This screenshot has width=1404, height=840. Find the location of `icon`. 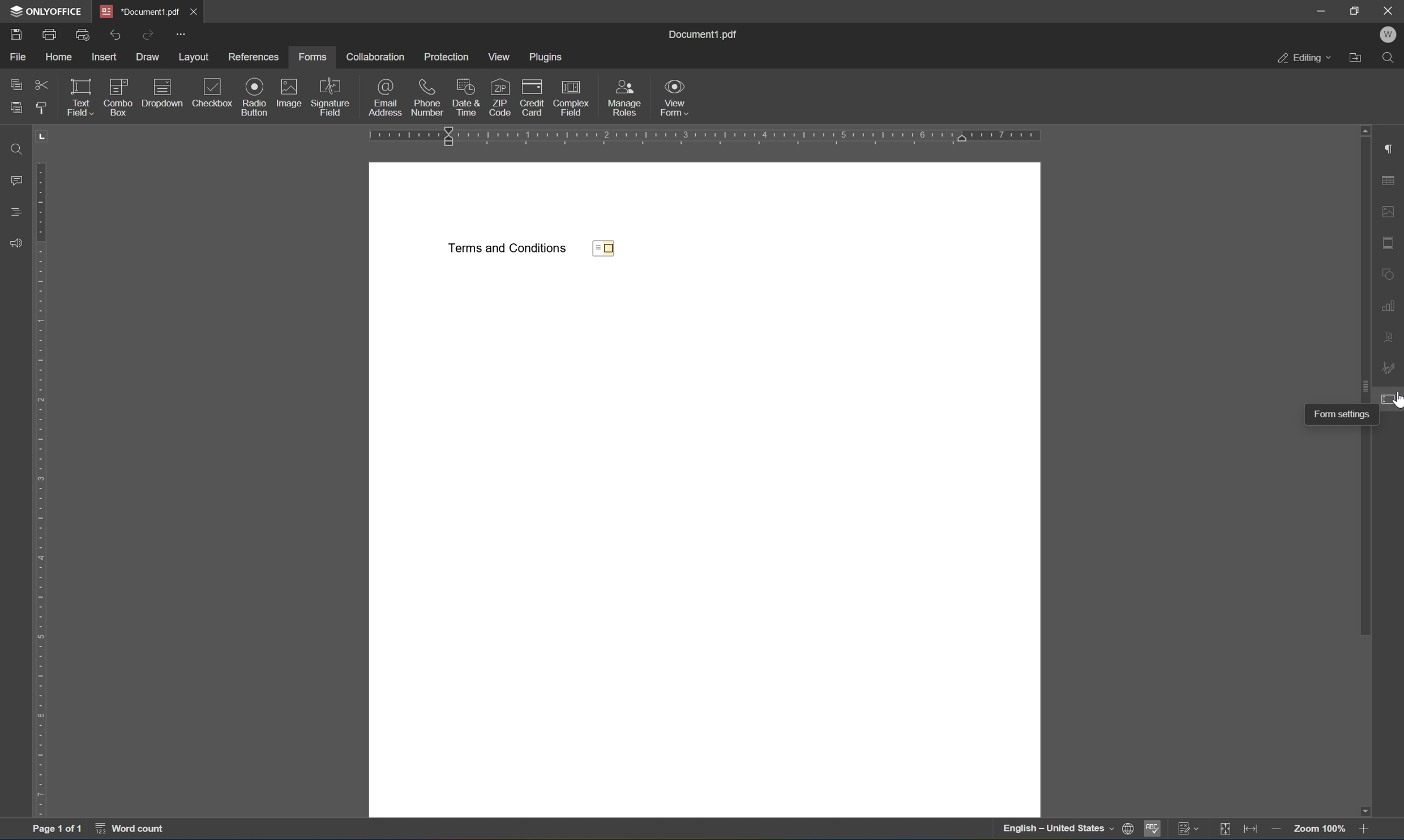

icon is located at coordinates (288, 87).